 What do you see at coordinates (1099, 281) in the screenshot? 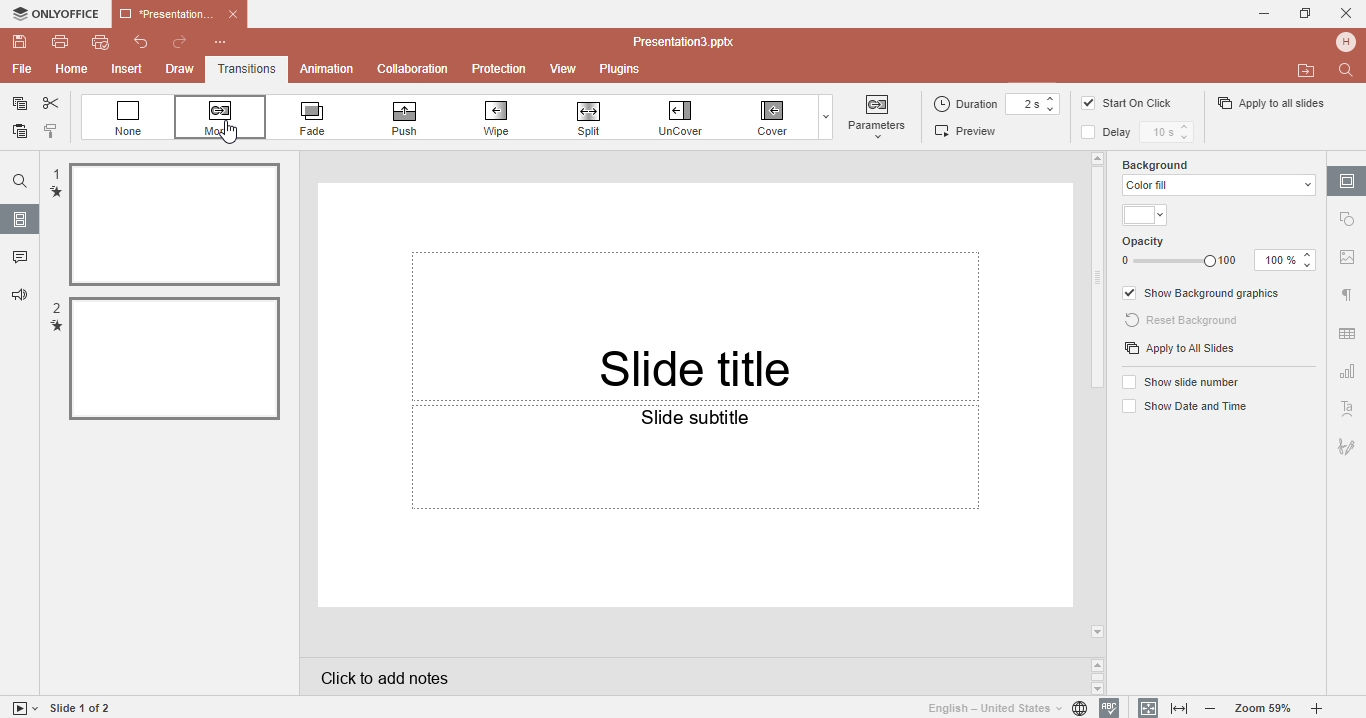
I see `Scroll bar` at bounding box center [1099, 281].